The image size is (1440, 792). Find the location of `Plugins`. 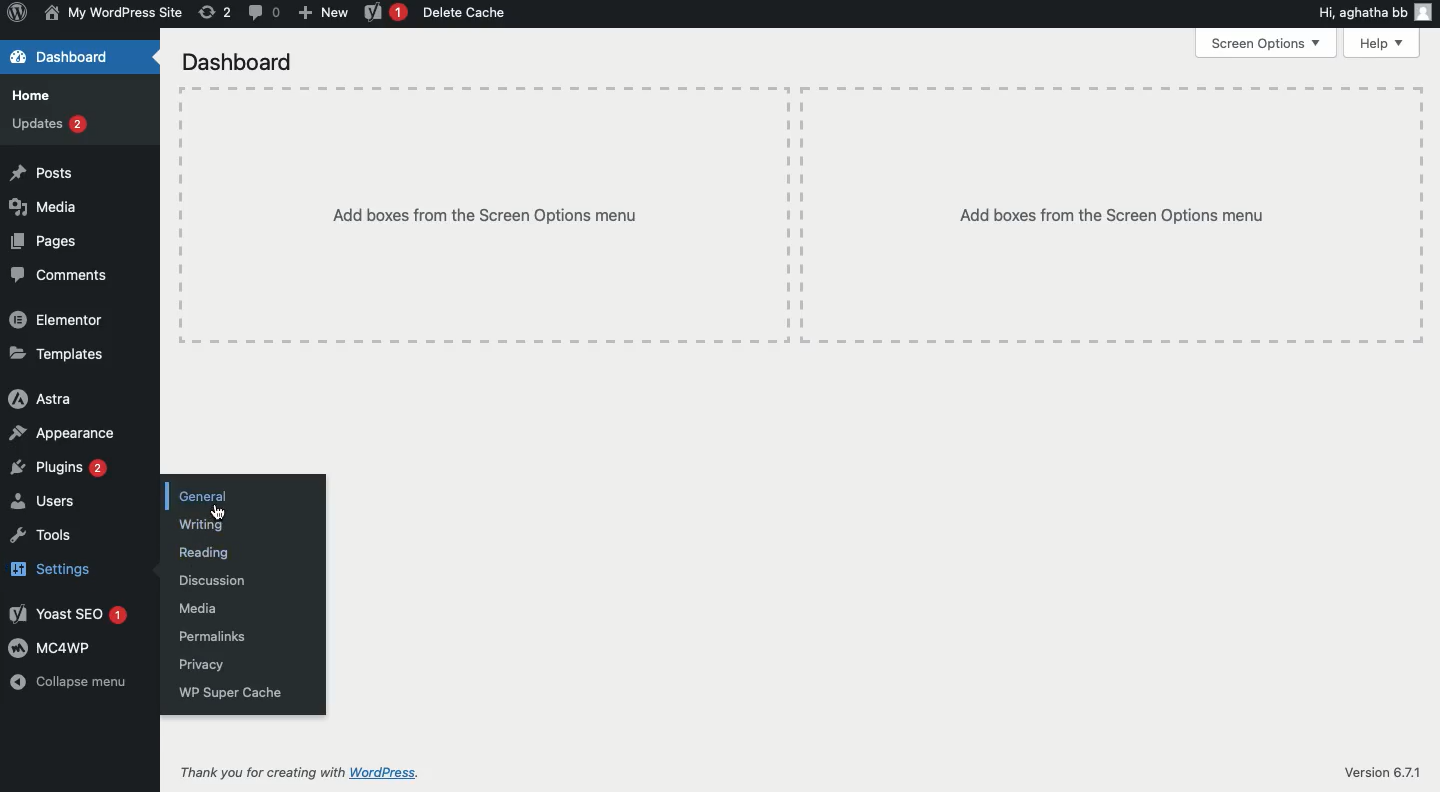

Plugins is located at coordinates (57, 468).